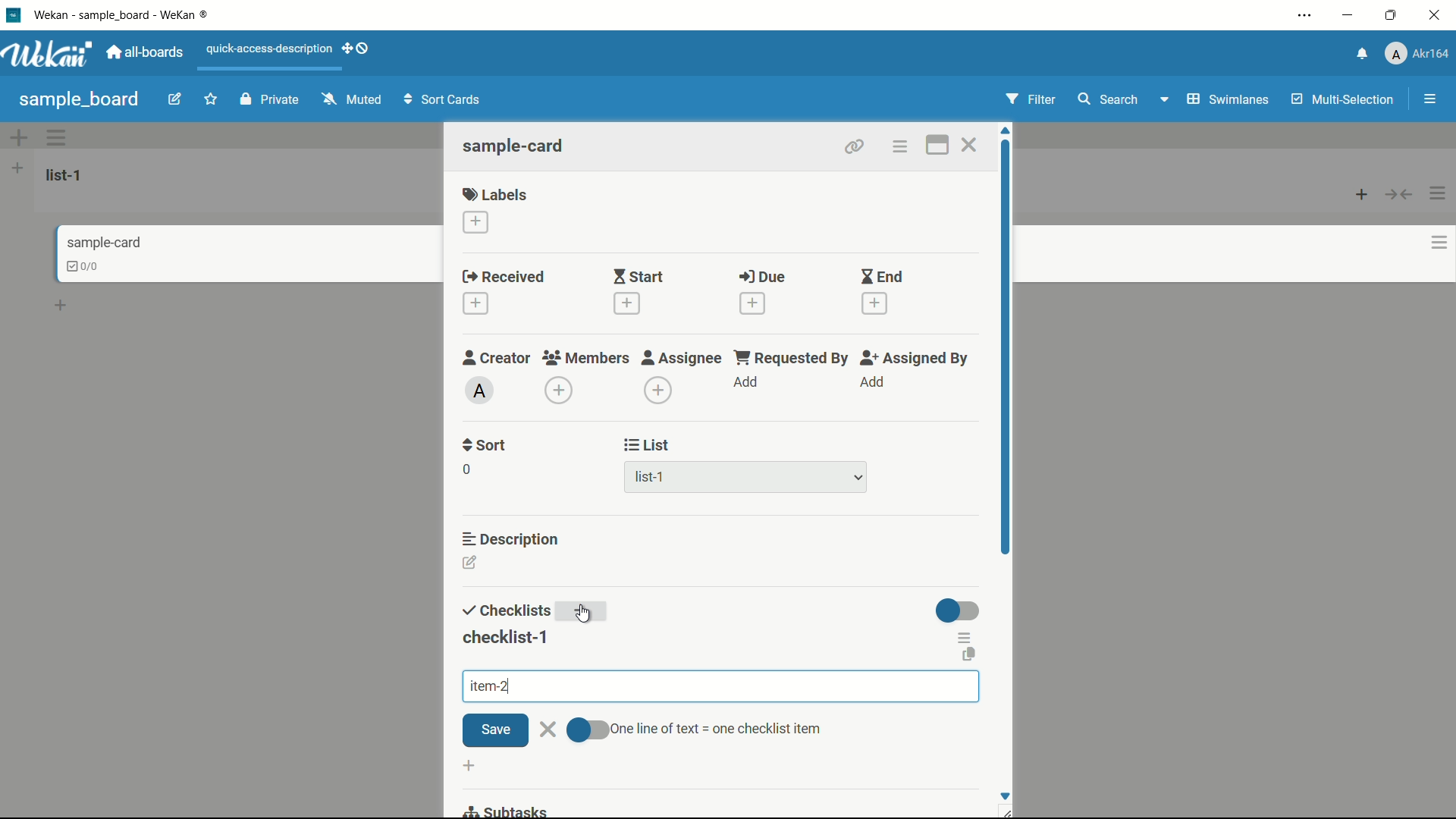  Describe the element at coordinates (652, 480) in the screenshot. I see `list-1` at that location.